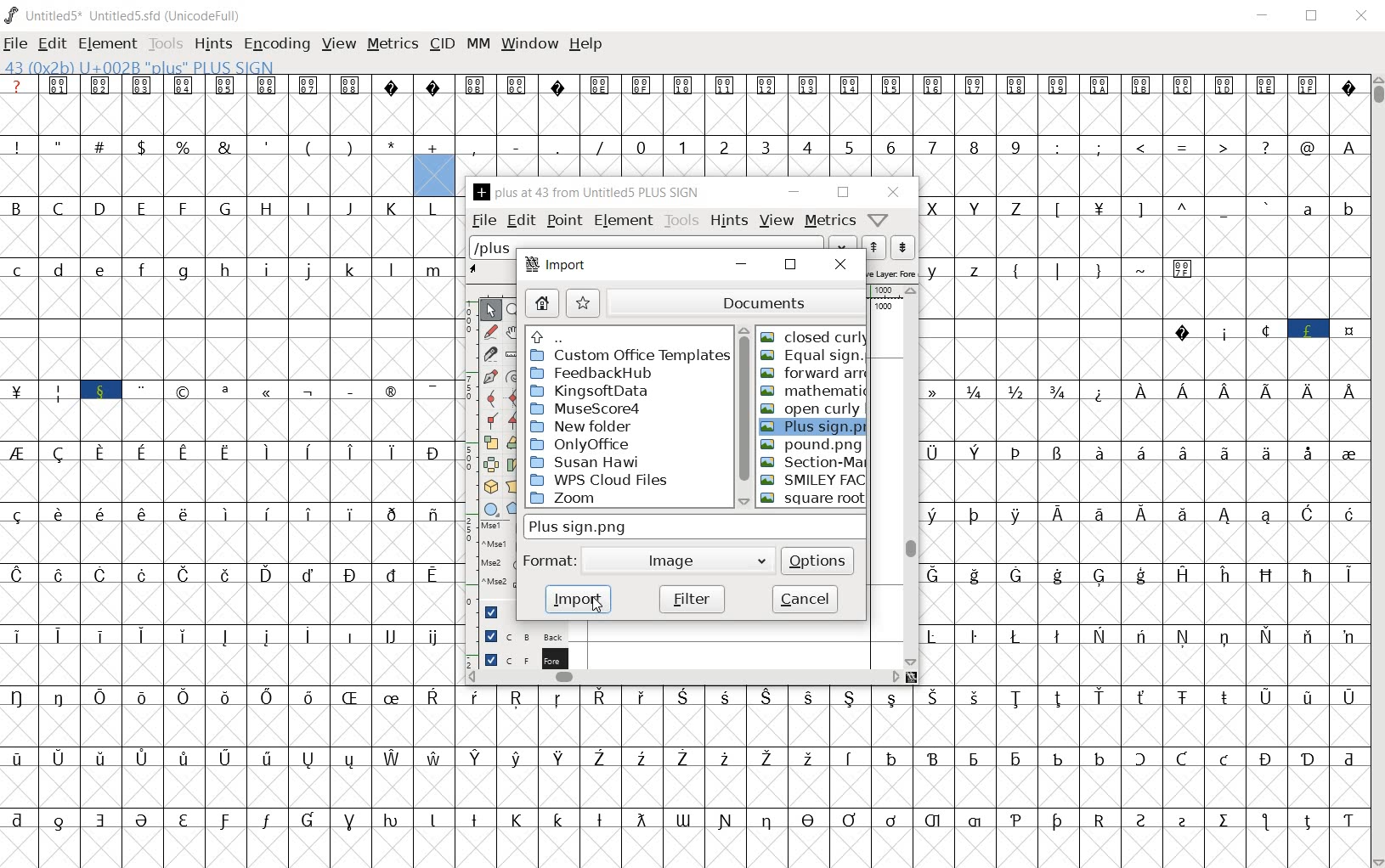 The height and width of the screenshot is (868, 1385). What do you see at coordinates (913, 479) in the screenshot?
I see `scrollbar` at bounding box center [913, 479].